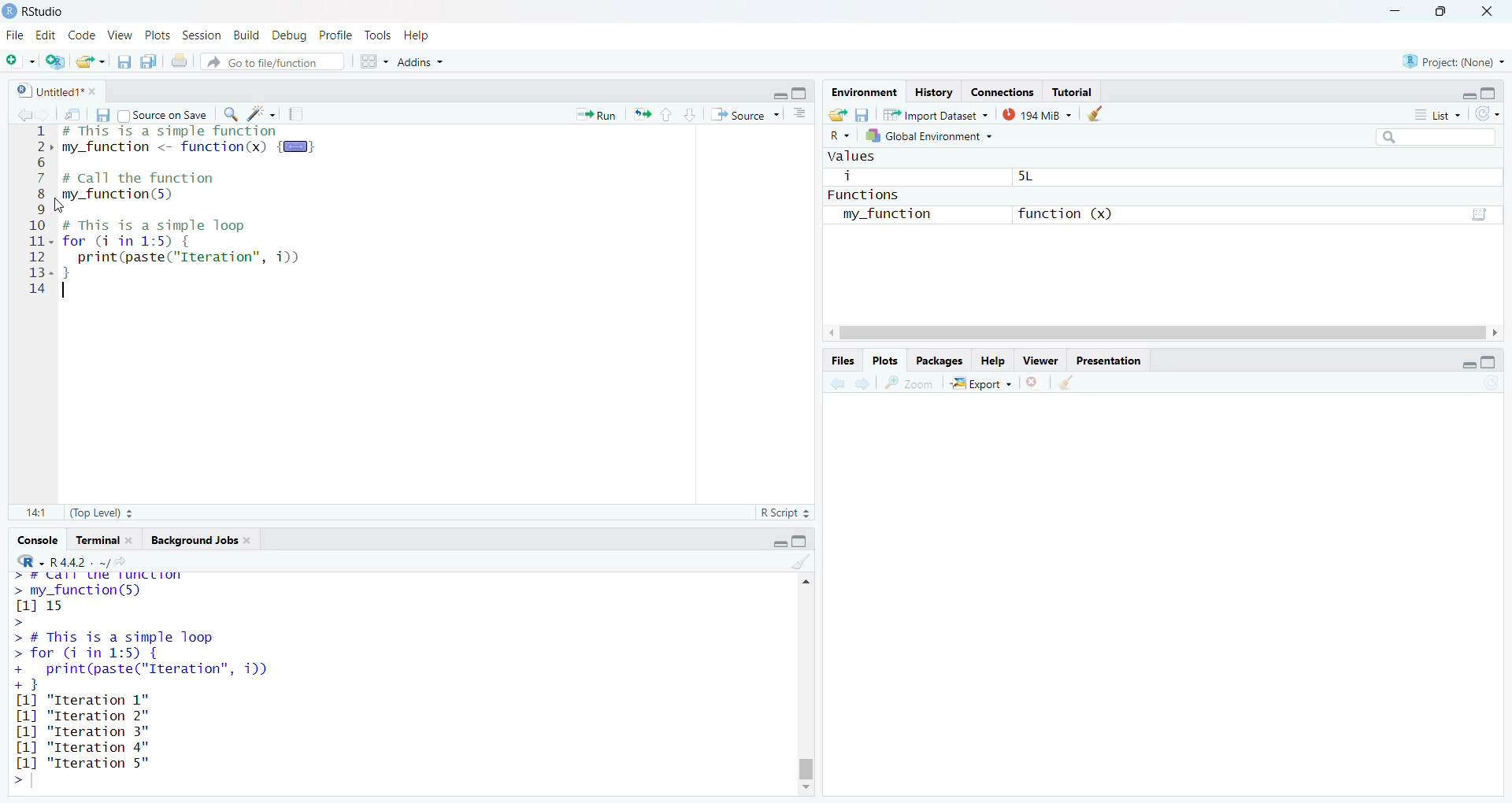  I want to click on go to file/function, so click(273, 60).